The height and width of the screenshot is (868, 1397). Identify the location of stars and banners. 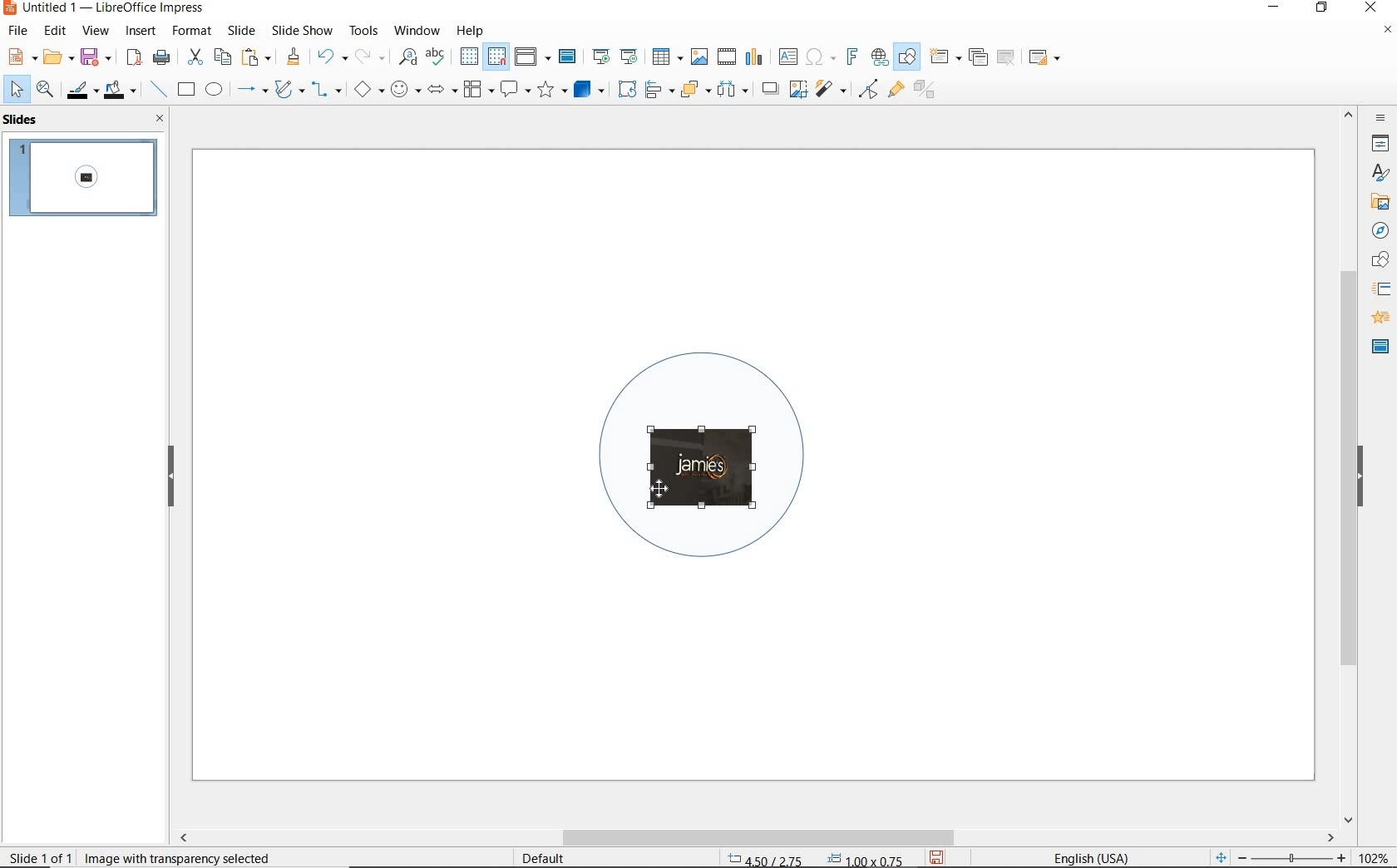
(551, 91).